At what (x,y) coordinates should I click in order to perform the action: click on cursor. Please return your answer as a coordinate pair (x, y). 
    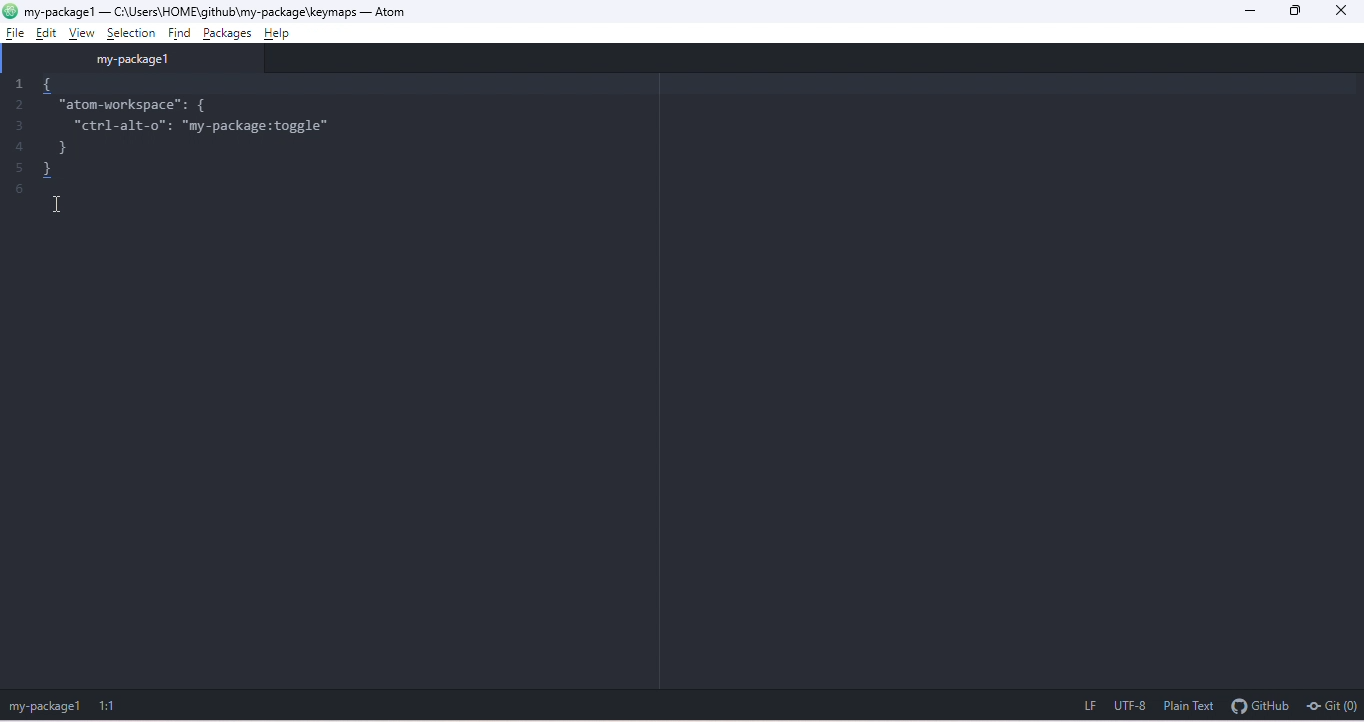
    Looking at the image, I should click on (84, 206).